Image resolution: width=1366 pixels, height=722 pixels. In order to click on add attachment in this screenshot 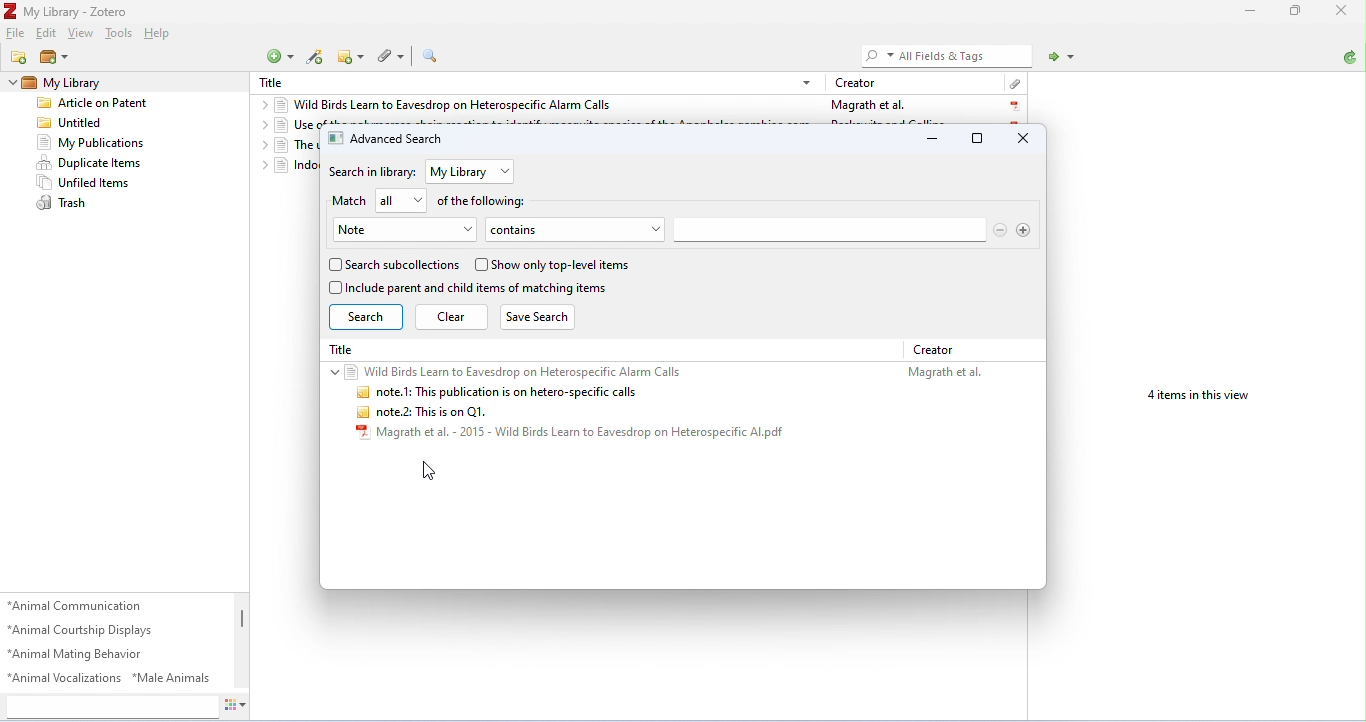, I will do `click(392, 57)`.